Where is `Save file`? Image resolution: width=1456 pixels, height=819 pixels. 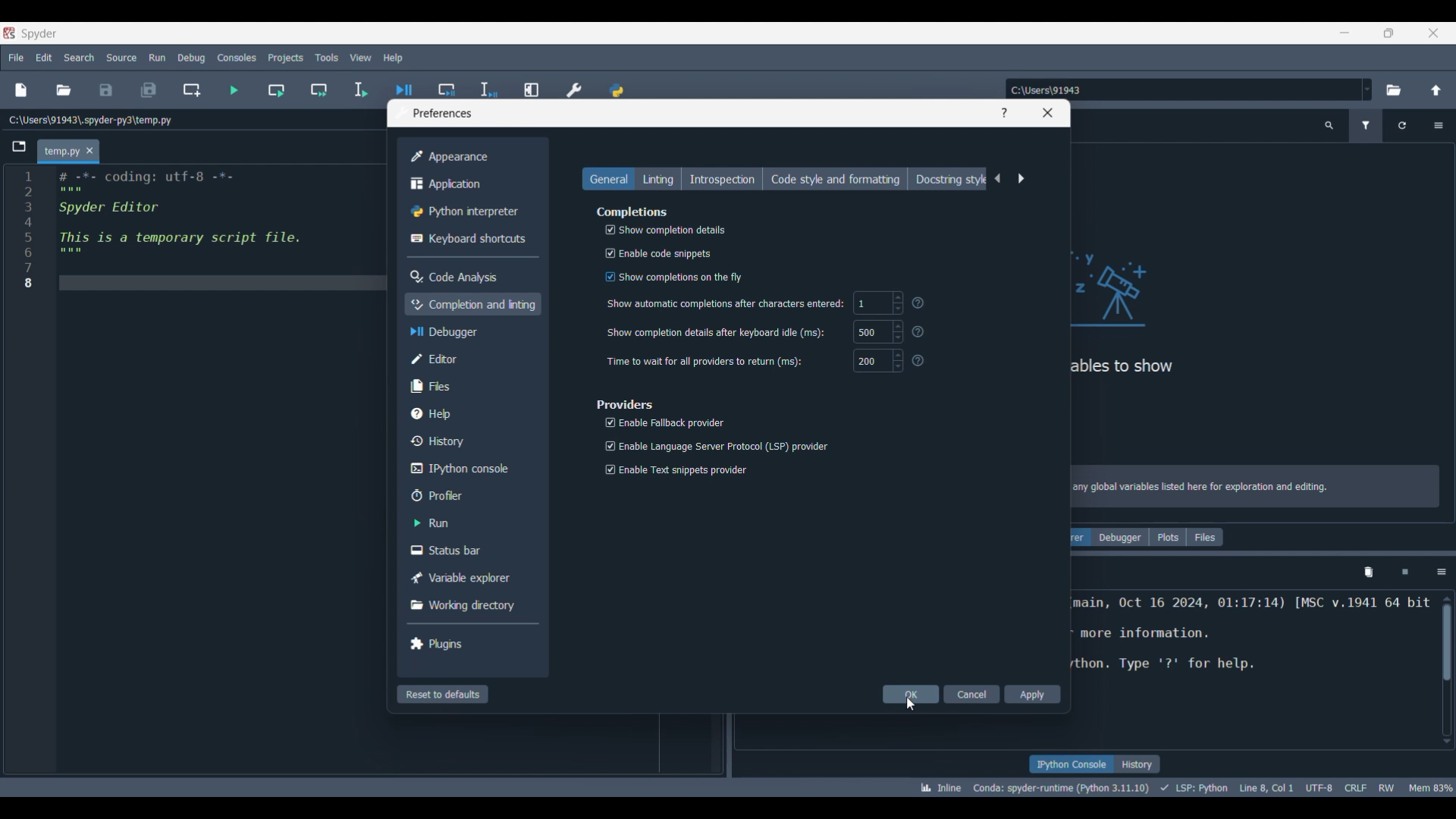
Save file is located at coordinates (106, 90).